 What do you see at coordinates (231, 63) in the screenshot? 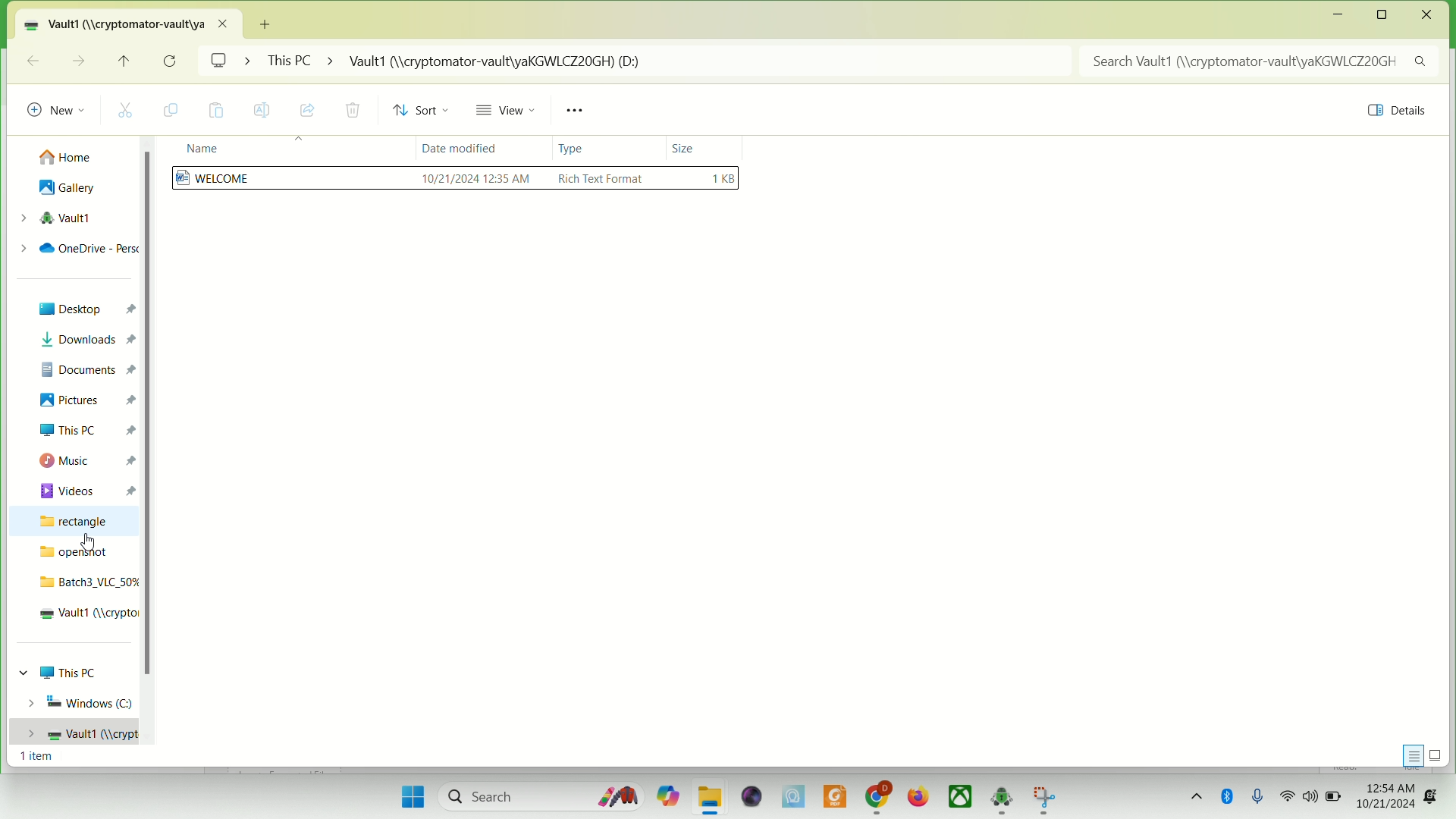
I see `screen >` at bounding box center [231, 63].